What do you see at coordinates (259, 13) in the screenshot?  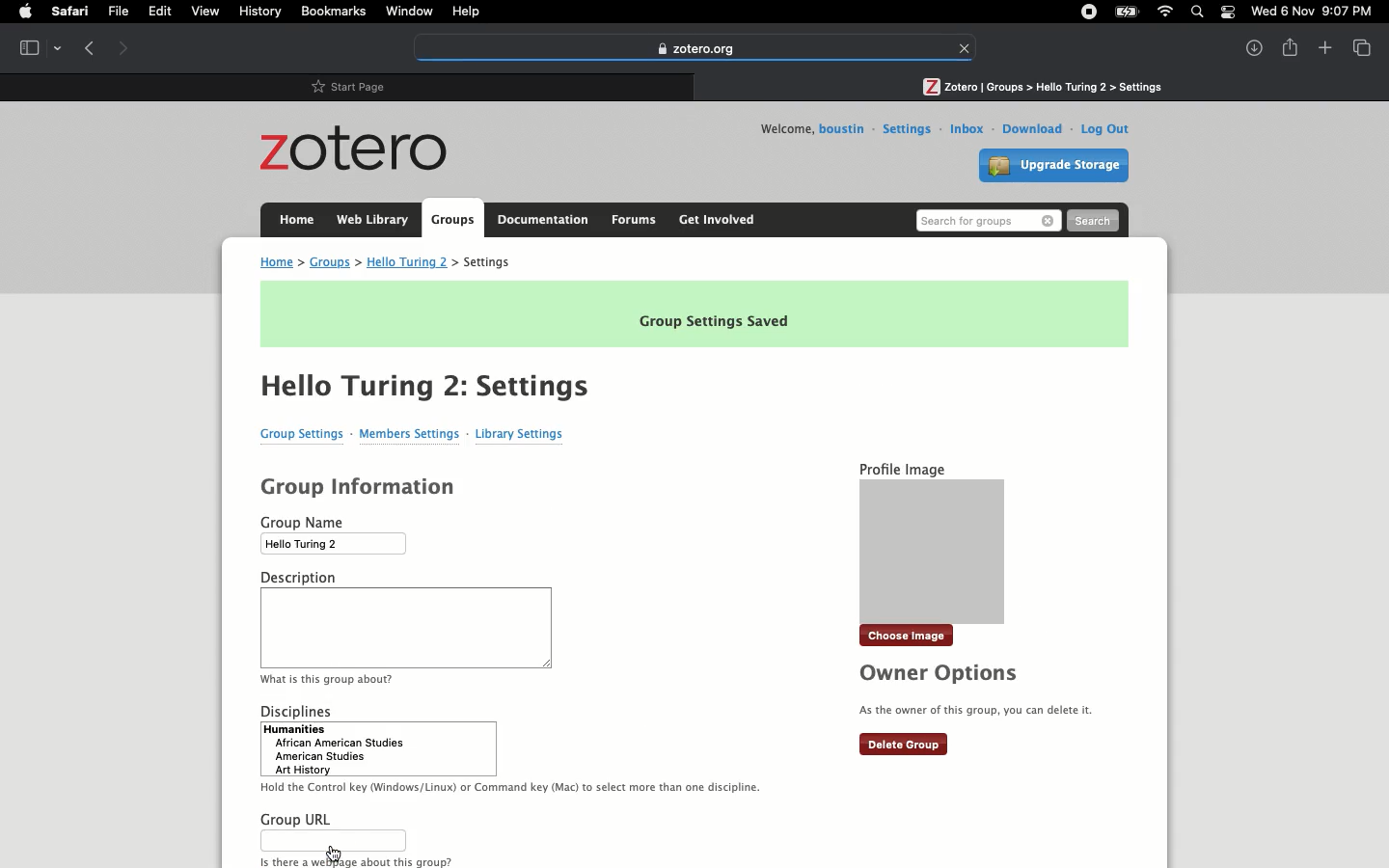 I see `History` at bounding box center [259, 13].